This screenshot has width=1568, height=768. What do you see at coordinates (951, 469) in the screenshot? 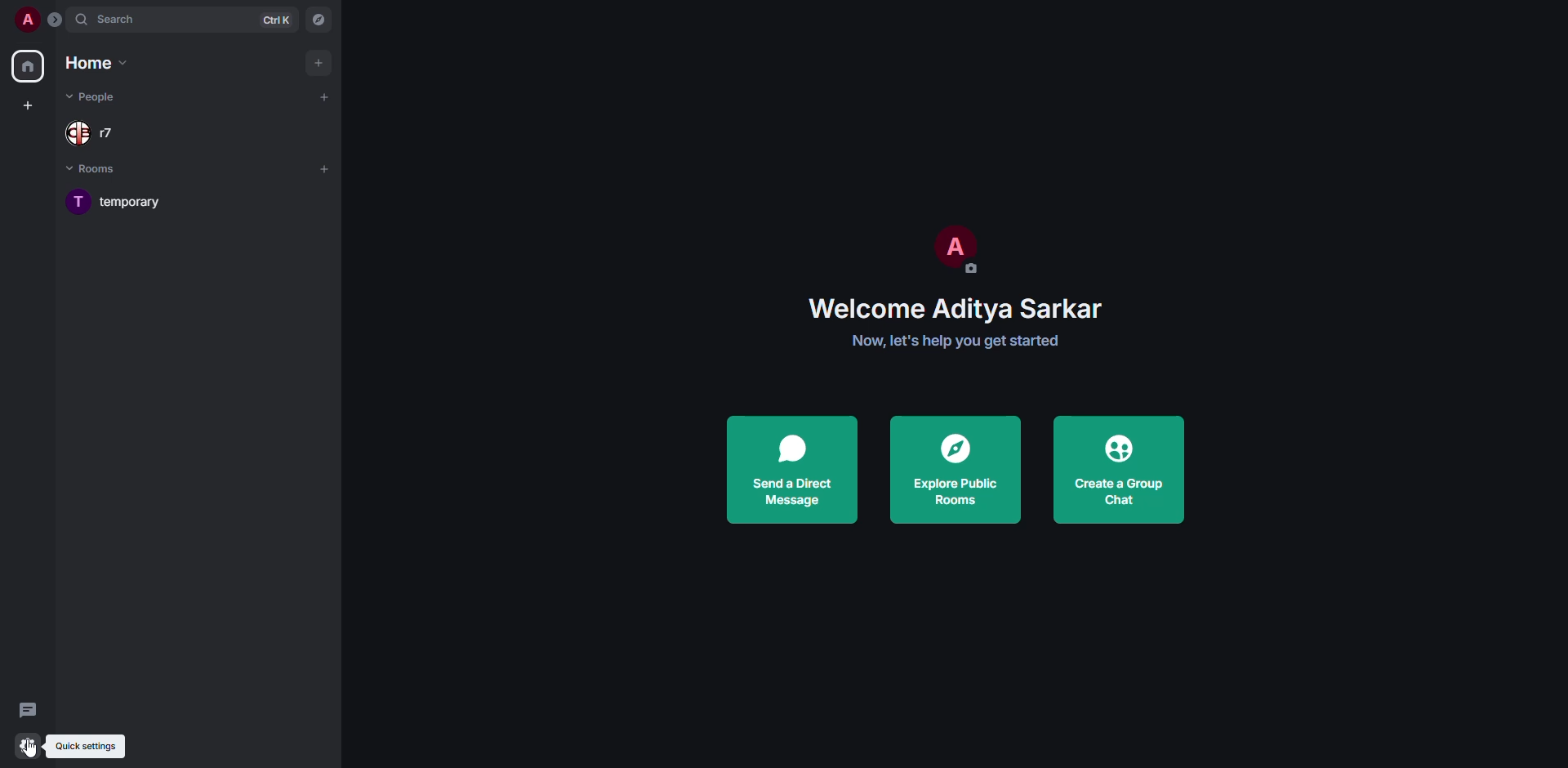
I see `explore public rooms` at bounding box center [951, 469].